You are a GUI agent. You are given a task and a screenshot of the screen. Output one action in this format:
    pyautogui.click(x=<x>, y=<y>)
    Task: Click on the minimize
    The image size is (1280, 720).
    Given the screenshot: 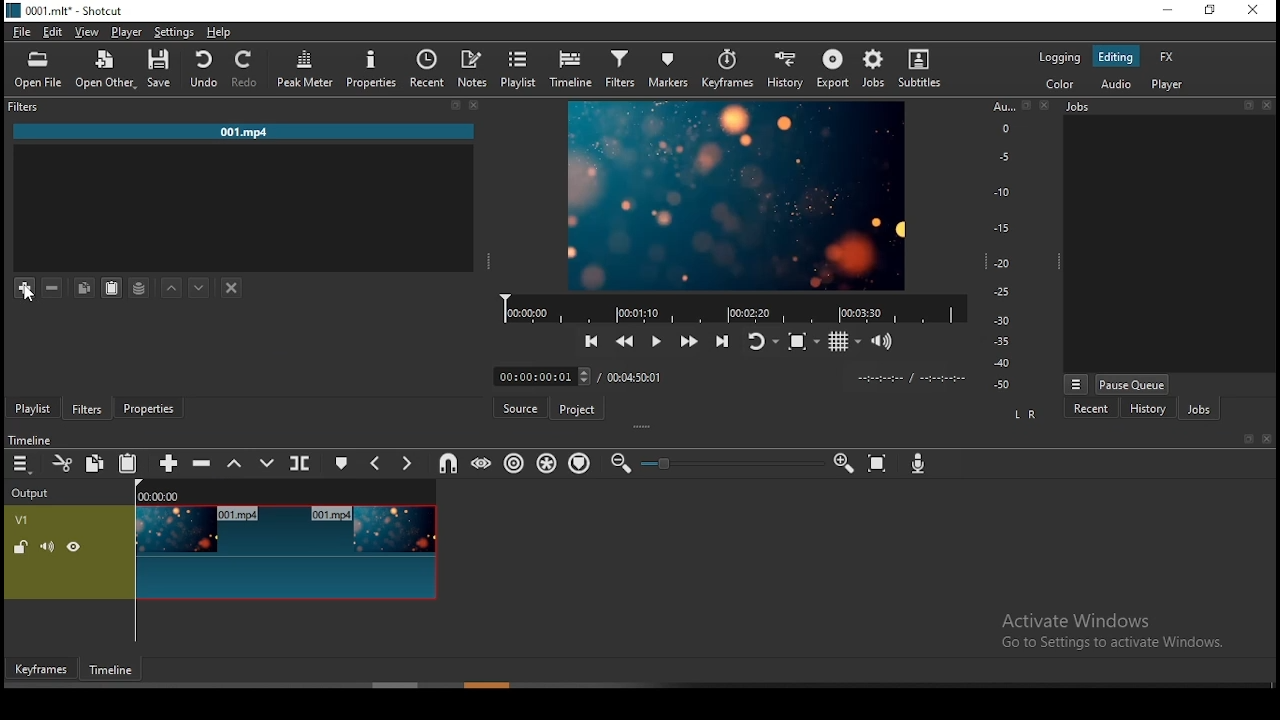 What is the action you would take?
    pyautogui.click(x=1171, y=11)
    